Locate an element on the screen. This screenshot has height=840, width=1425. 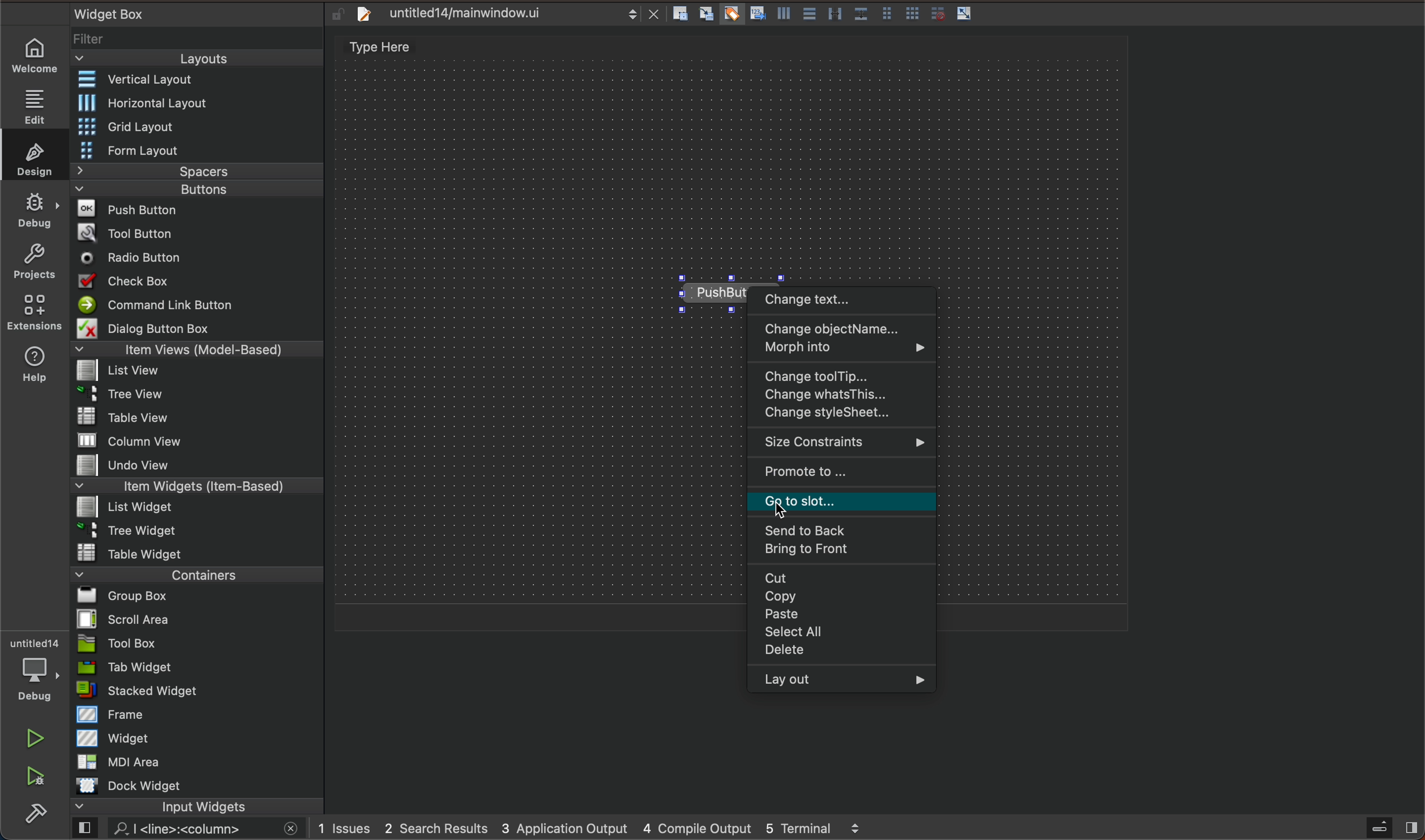
radio button is located at coordinates (203, 259).